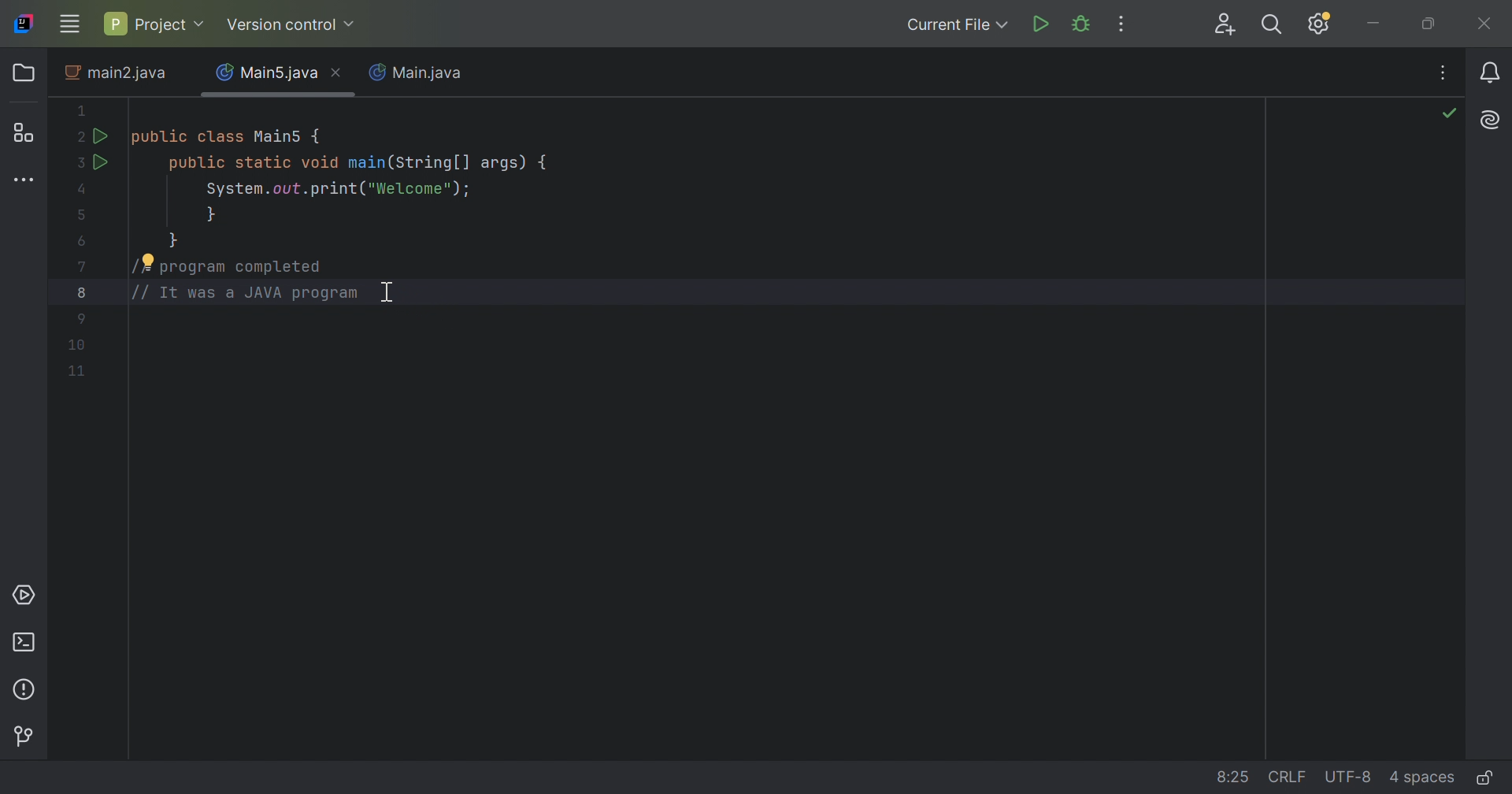 The height and width of the screenshot is (794, 1512). I want to click on More Actions, so click(1123, 24).